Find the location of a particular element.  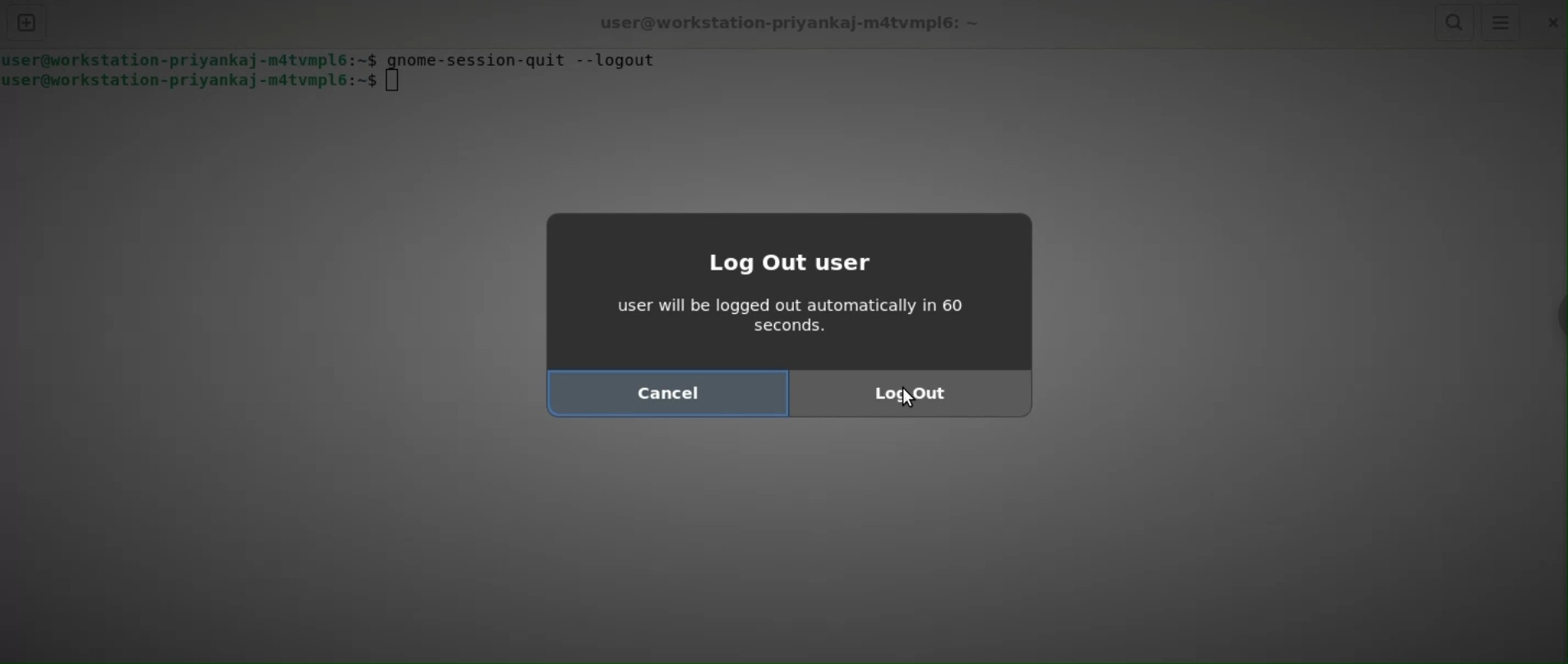

cancel is located at coordinates (666, 394).